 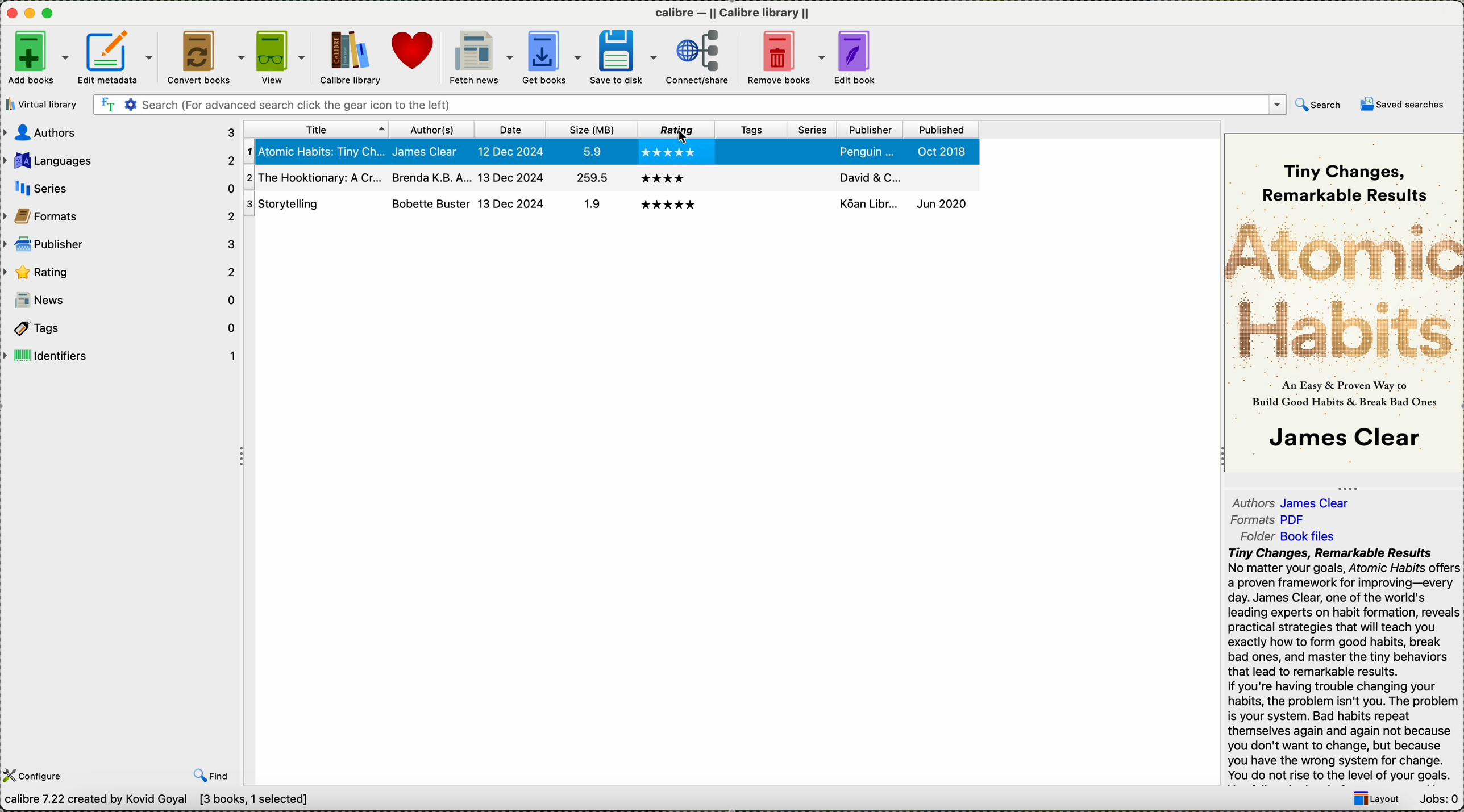 I want to click on 4 star, so click(x=662, y=178).